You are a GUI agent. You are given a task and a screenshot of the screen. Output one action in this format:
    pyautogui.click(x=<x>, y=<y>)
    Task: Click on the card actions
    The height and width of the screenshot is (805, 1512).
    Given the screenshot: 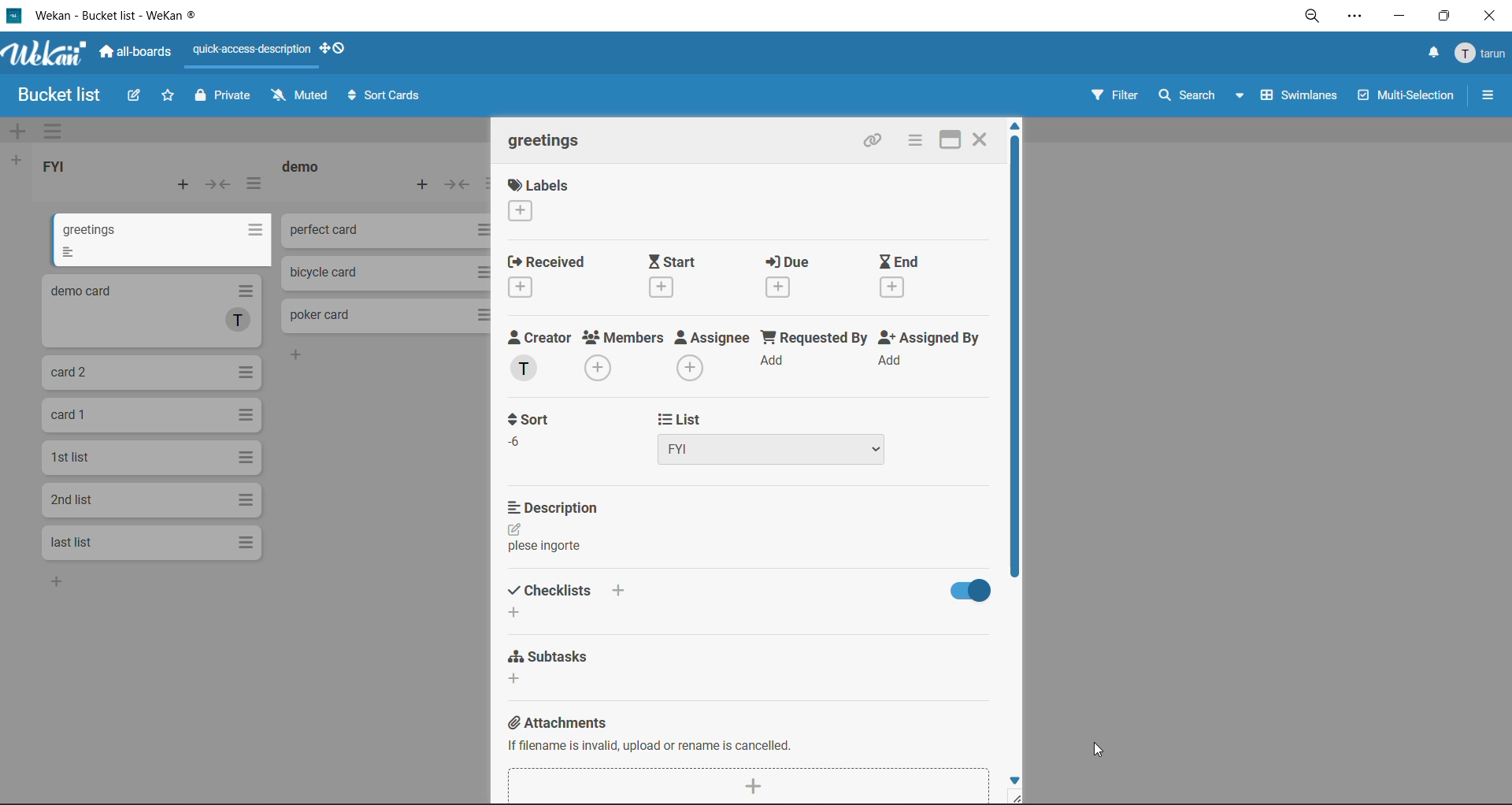 What is the action you would take?
    pyautogui.click(x=914, y=141)
    